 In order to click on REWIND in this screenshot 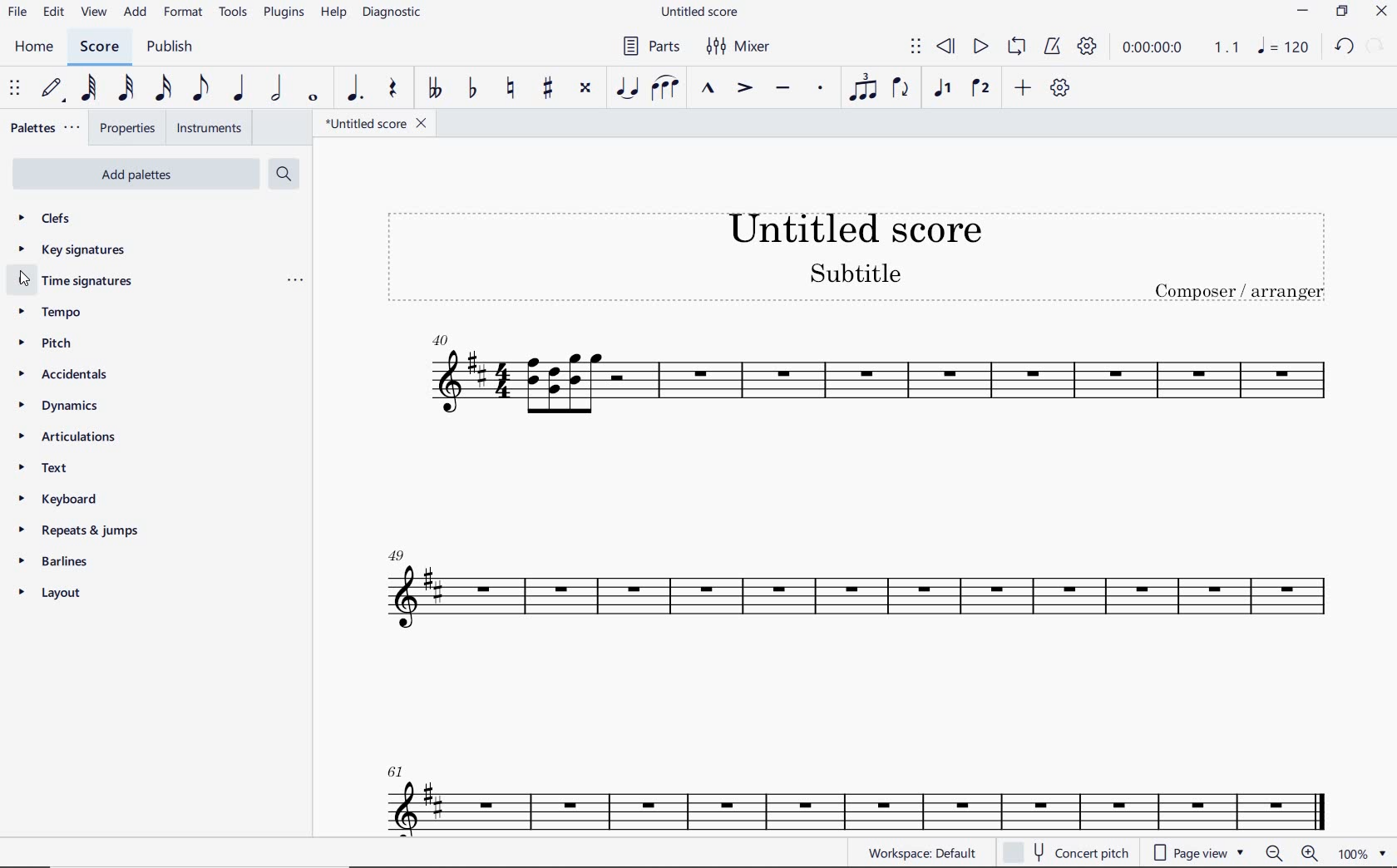, I will do `click(945, 46)`.